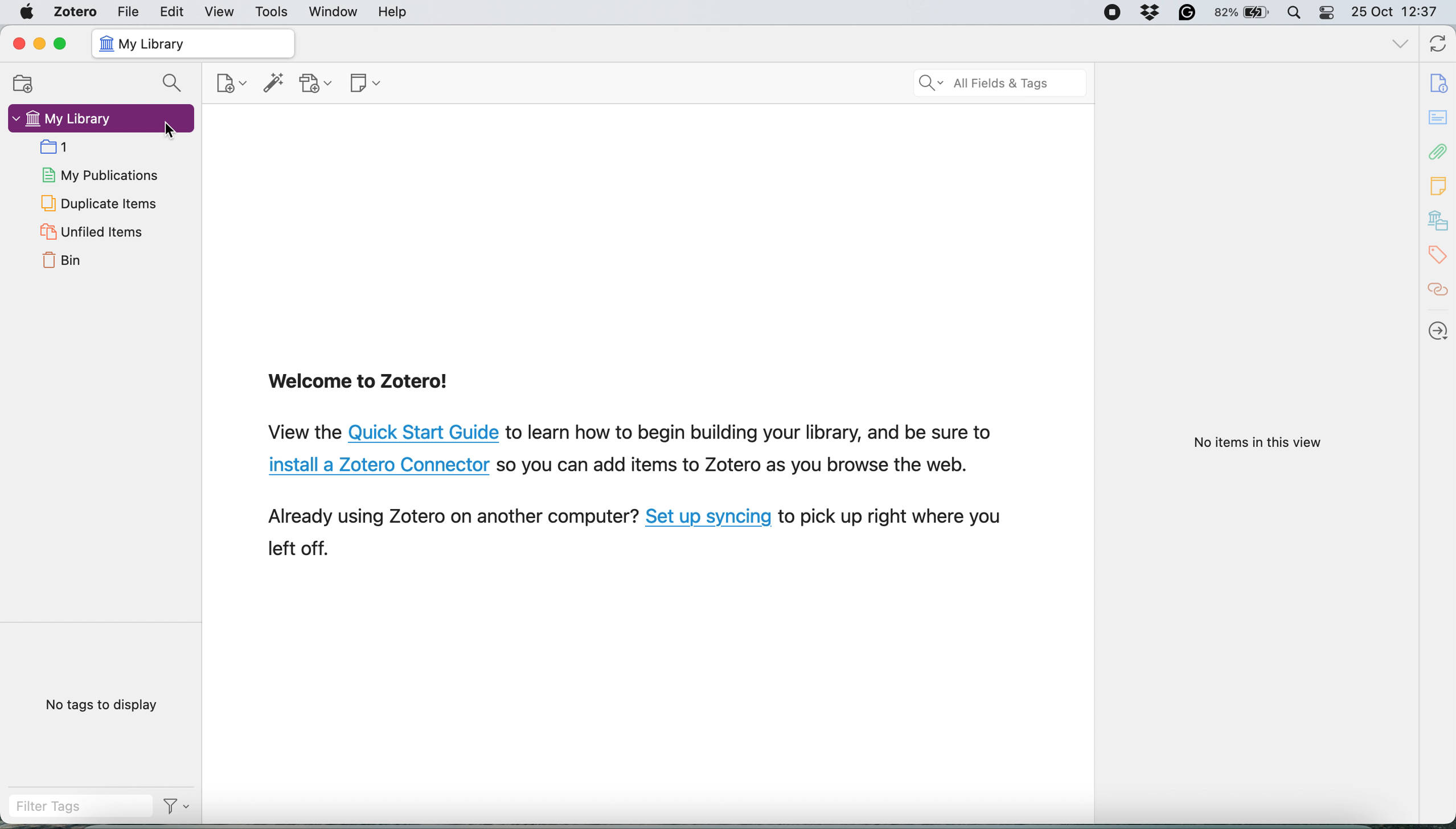 The width and height of the screenshot is (1456, 829). What do you see at coordinates (1437, 44) in the screenshot?
I see `sync with zotero.org` at bounding box center [1437, 44].